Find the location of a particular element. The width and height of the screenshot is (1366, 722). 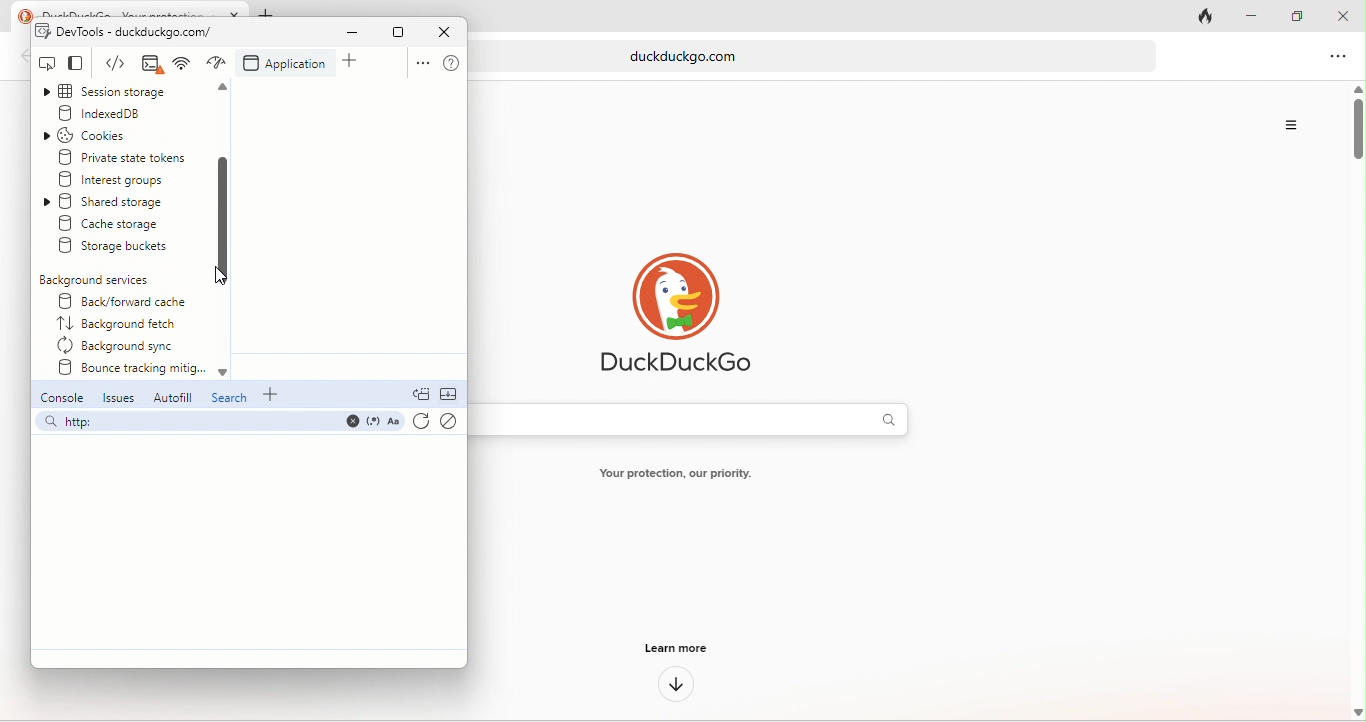

scroll down is located at coordinates (225, 223).